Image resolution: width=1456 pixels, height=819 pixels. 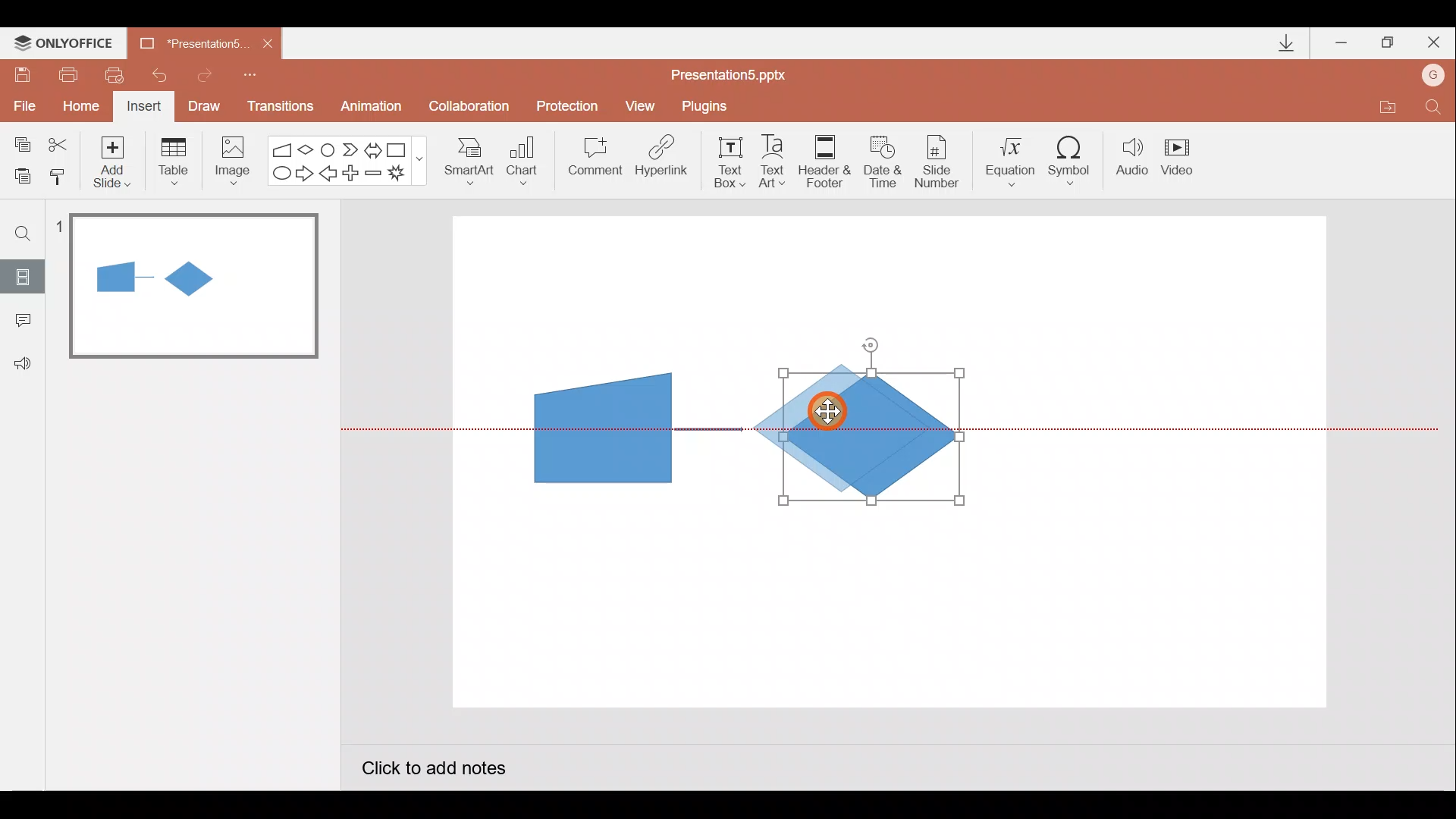 What do you see at coordinates (1387, 109) in the screenshot?
I see `Open file location` at bounding box center [1387, 109].